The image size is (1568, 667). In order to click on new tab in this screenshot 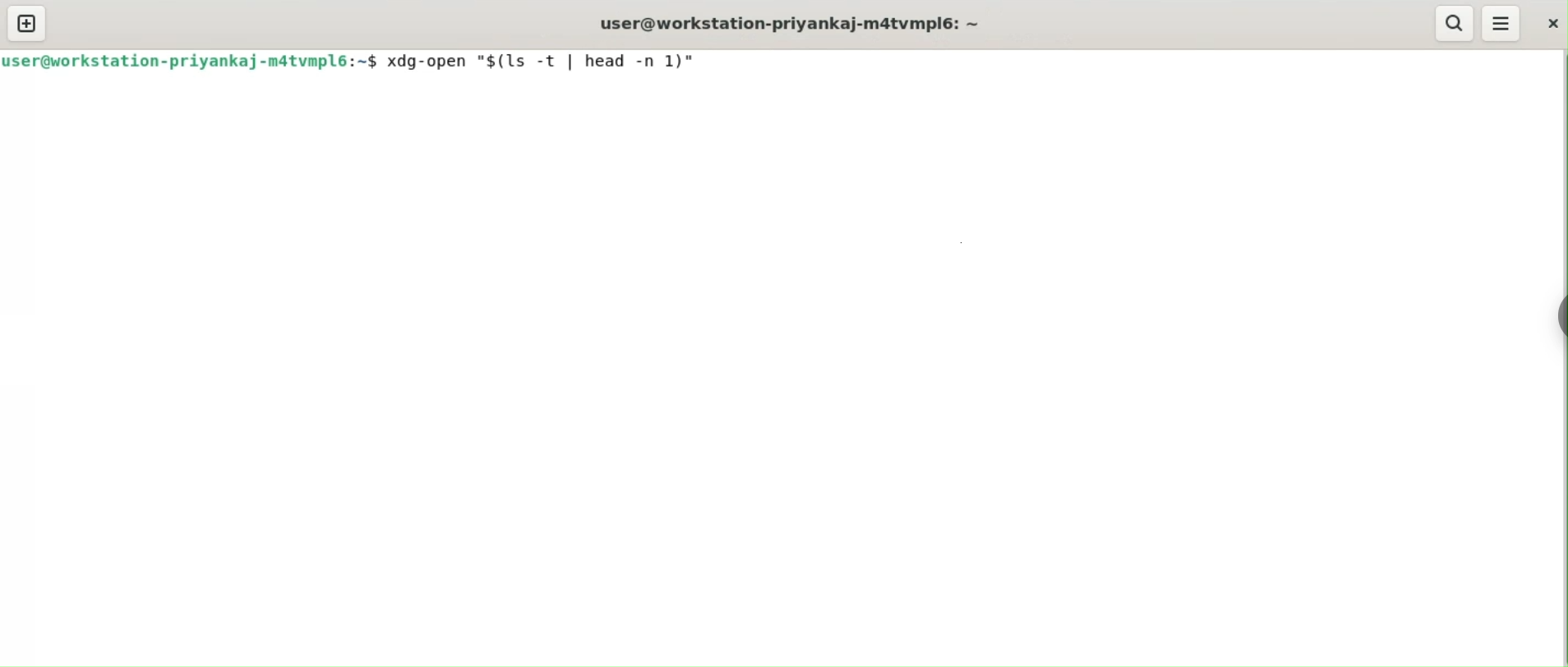, I will do `click(27, 23)`.